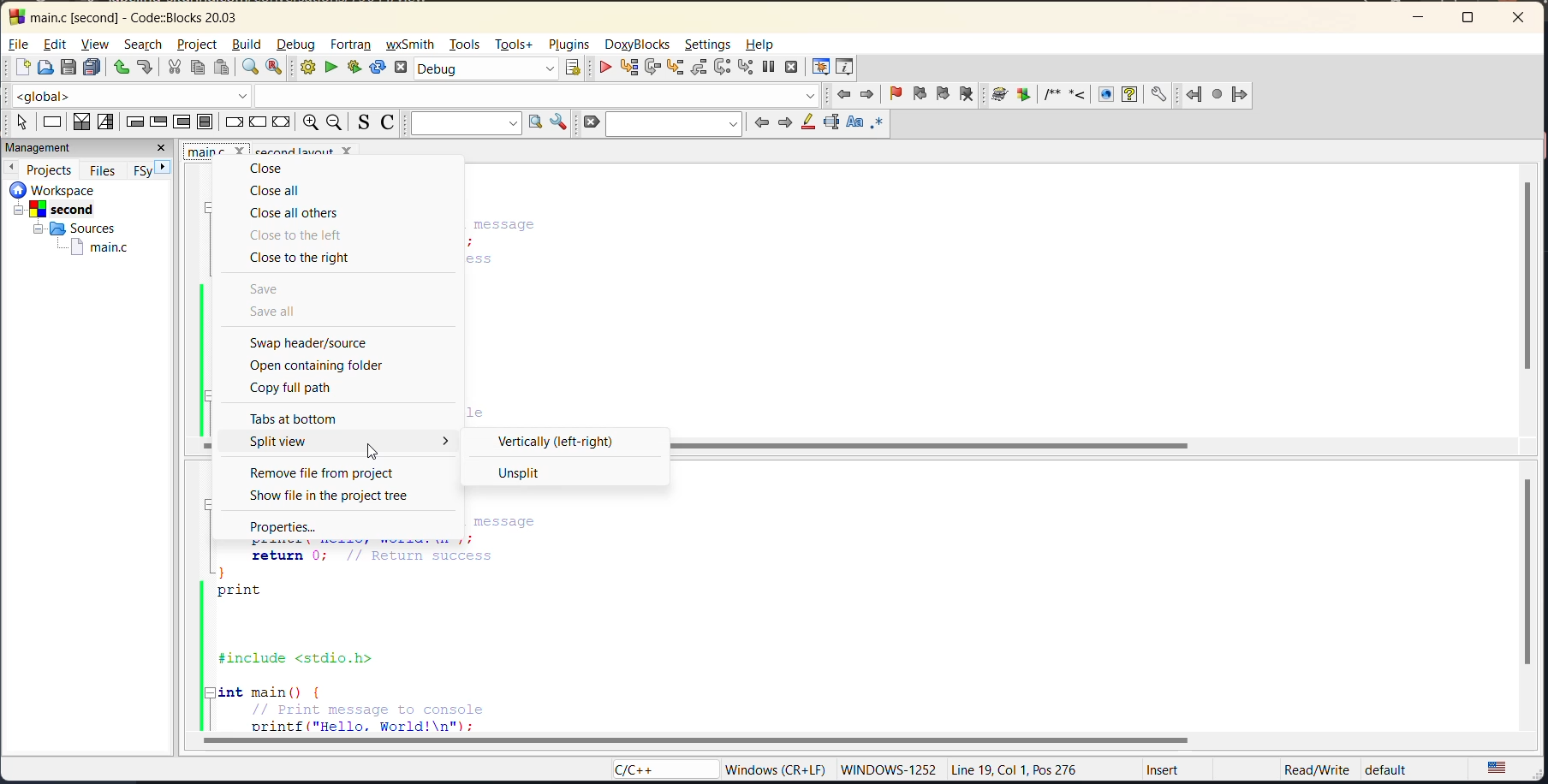 Image resolution: width=1548 pixels, height=784 pixels. Describe the element at coordinates (362, 123) in the screenshot. I see `toggle source` at that location.